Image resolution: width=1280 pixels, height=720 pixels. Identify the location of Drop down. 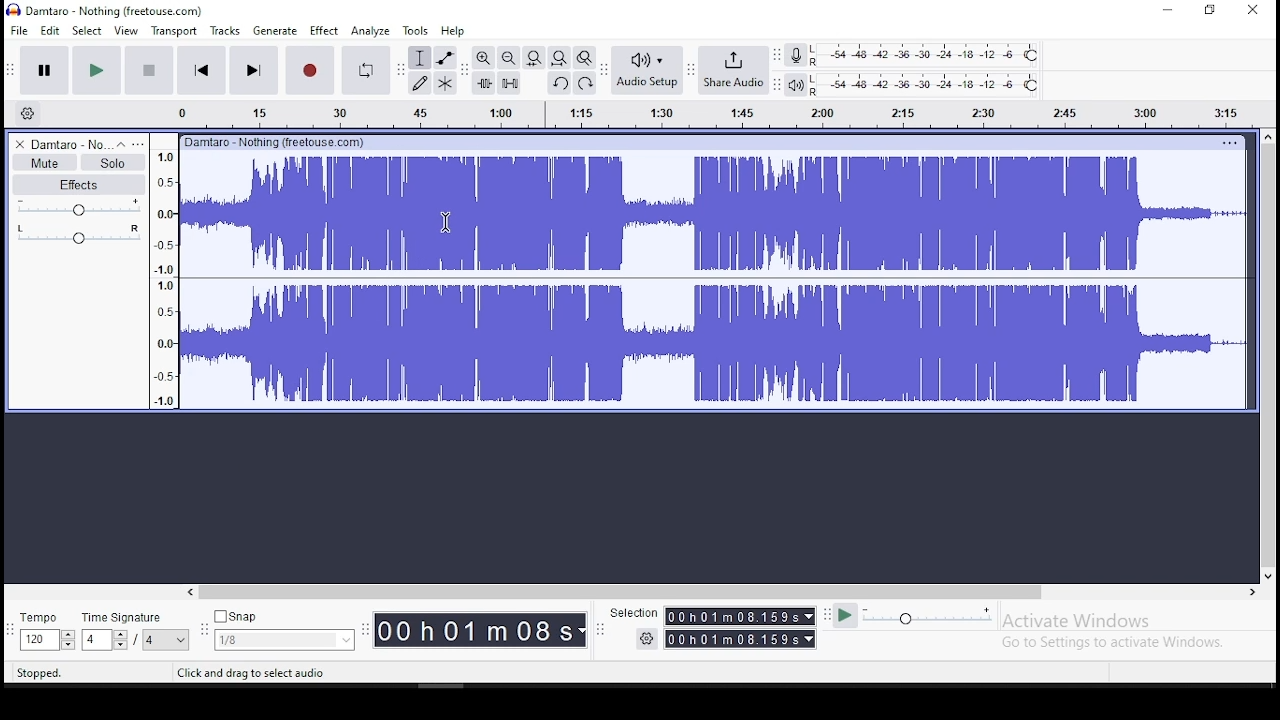
(178, 640).